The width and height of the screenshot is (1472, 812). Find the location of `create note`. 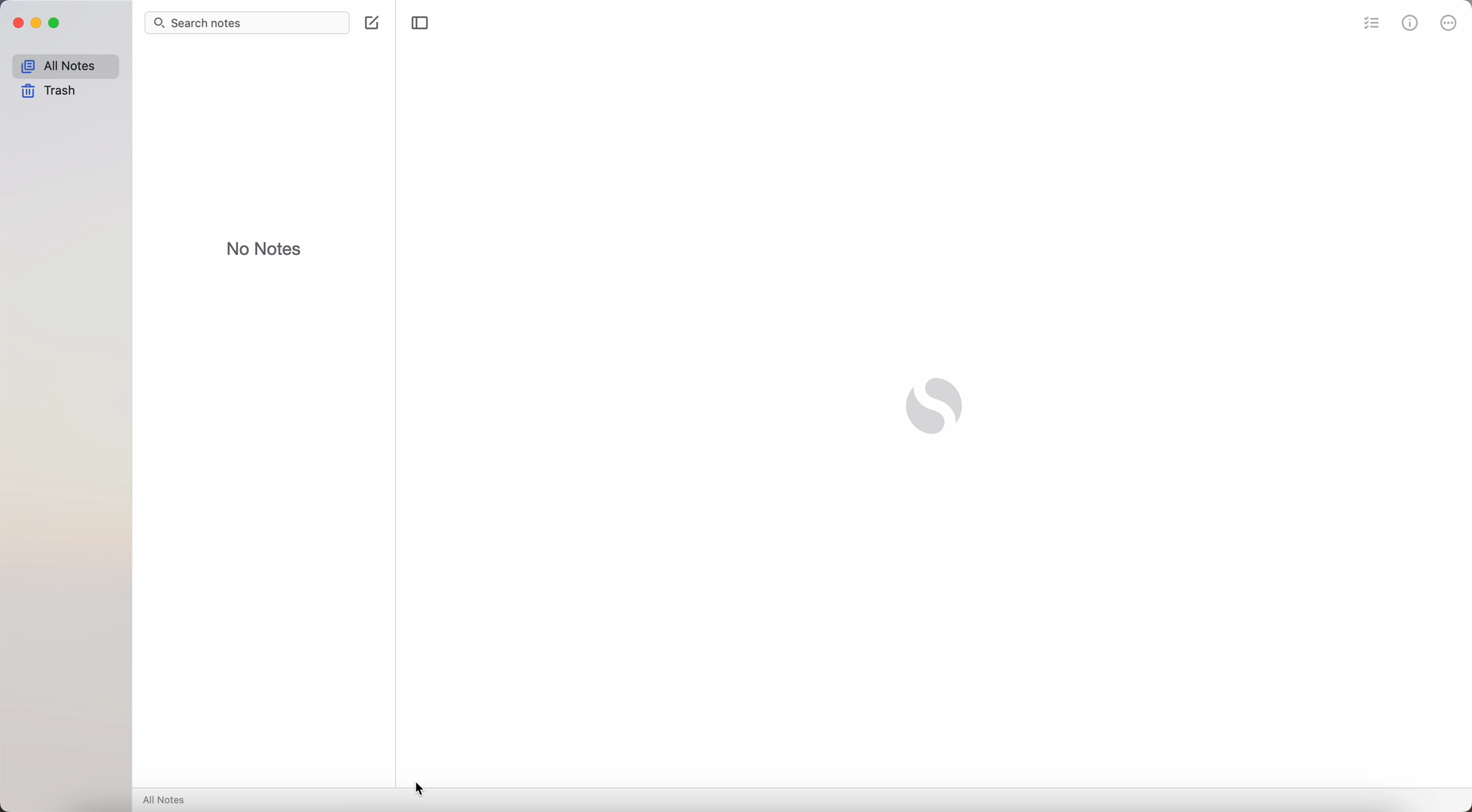

create note is located at coordinates (372, 23).